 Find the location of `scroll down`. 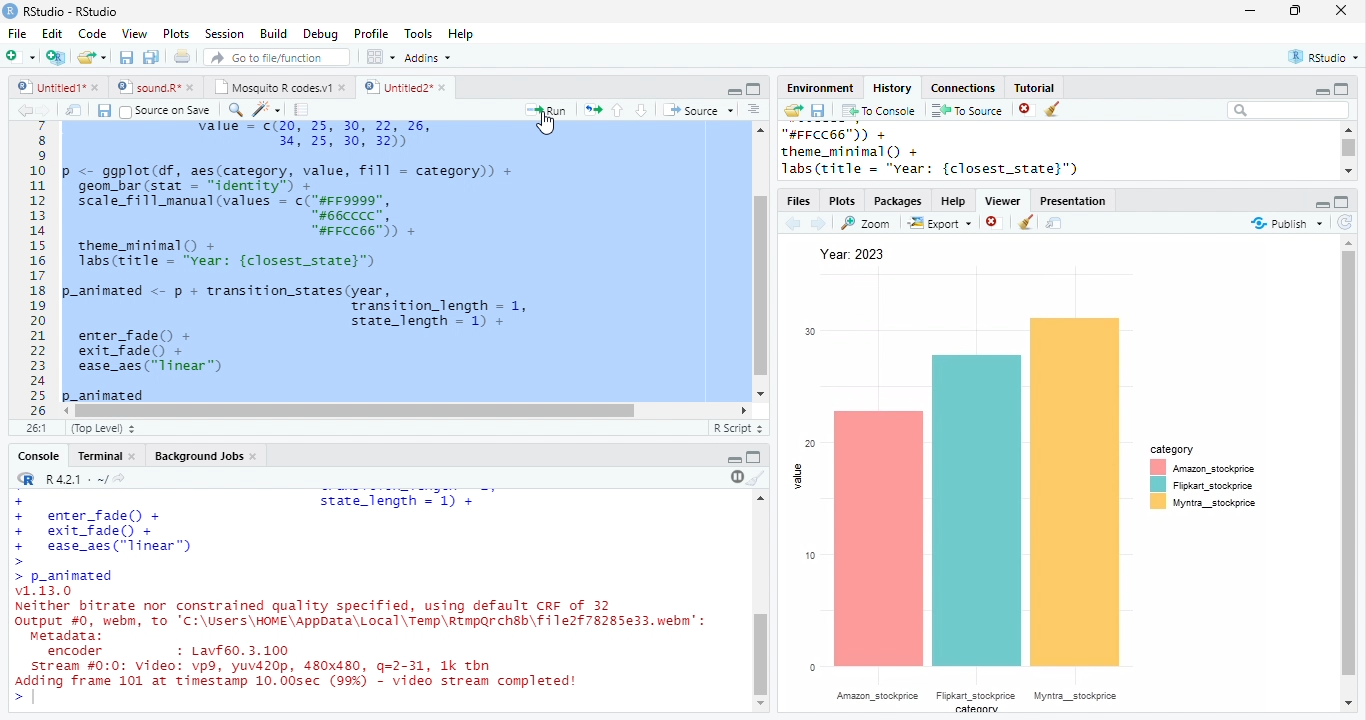

scroll down is located at coordinates (761, 393).